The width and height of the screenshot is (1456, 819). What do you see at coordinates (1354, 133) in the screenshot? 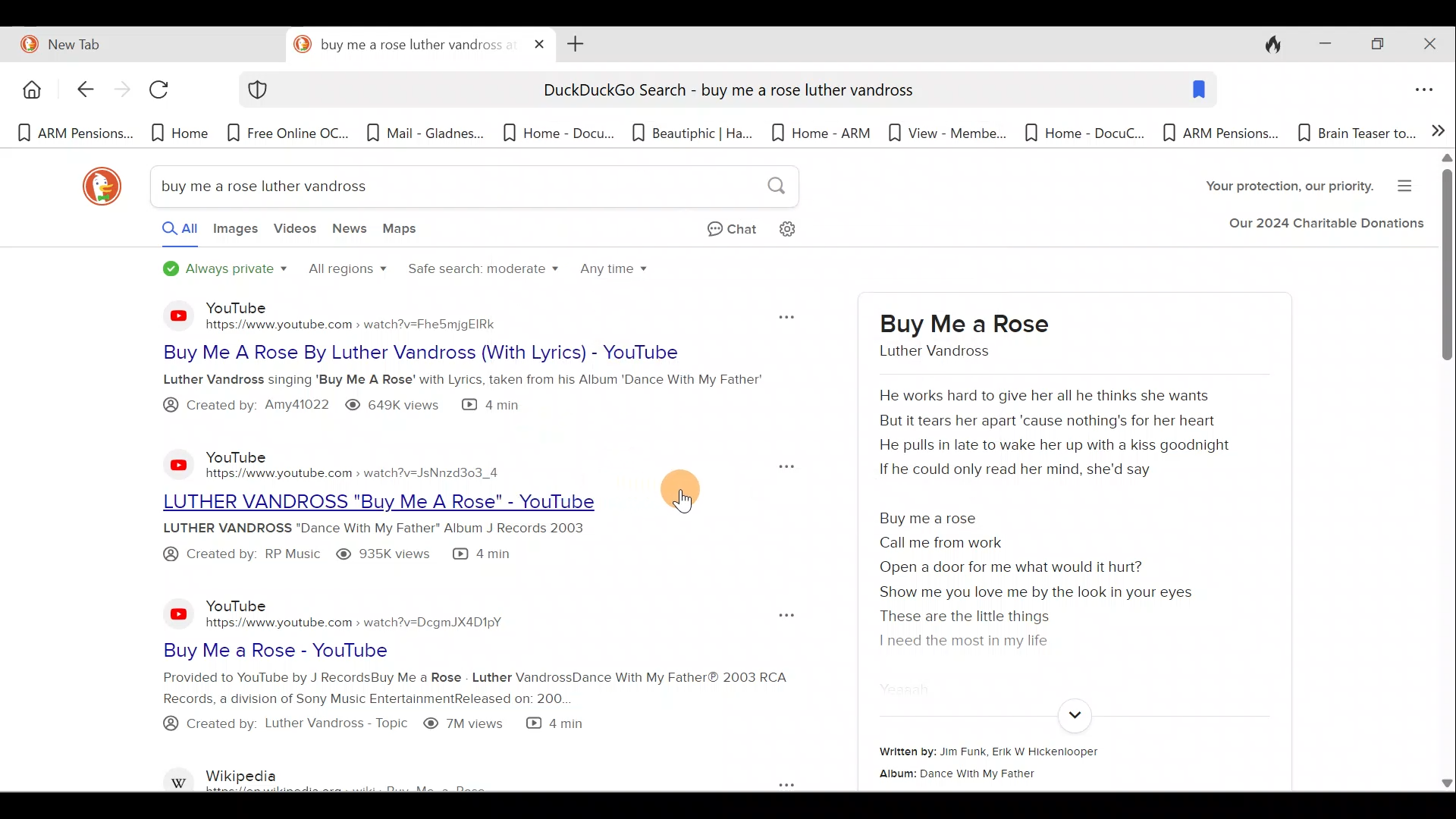
I see `Bookmark 11` at bounding box center [1354, 133].